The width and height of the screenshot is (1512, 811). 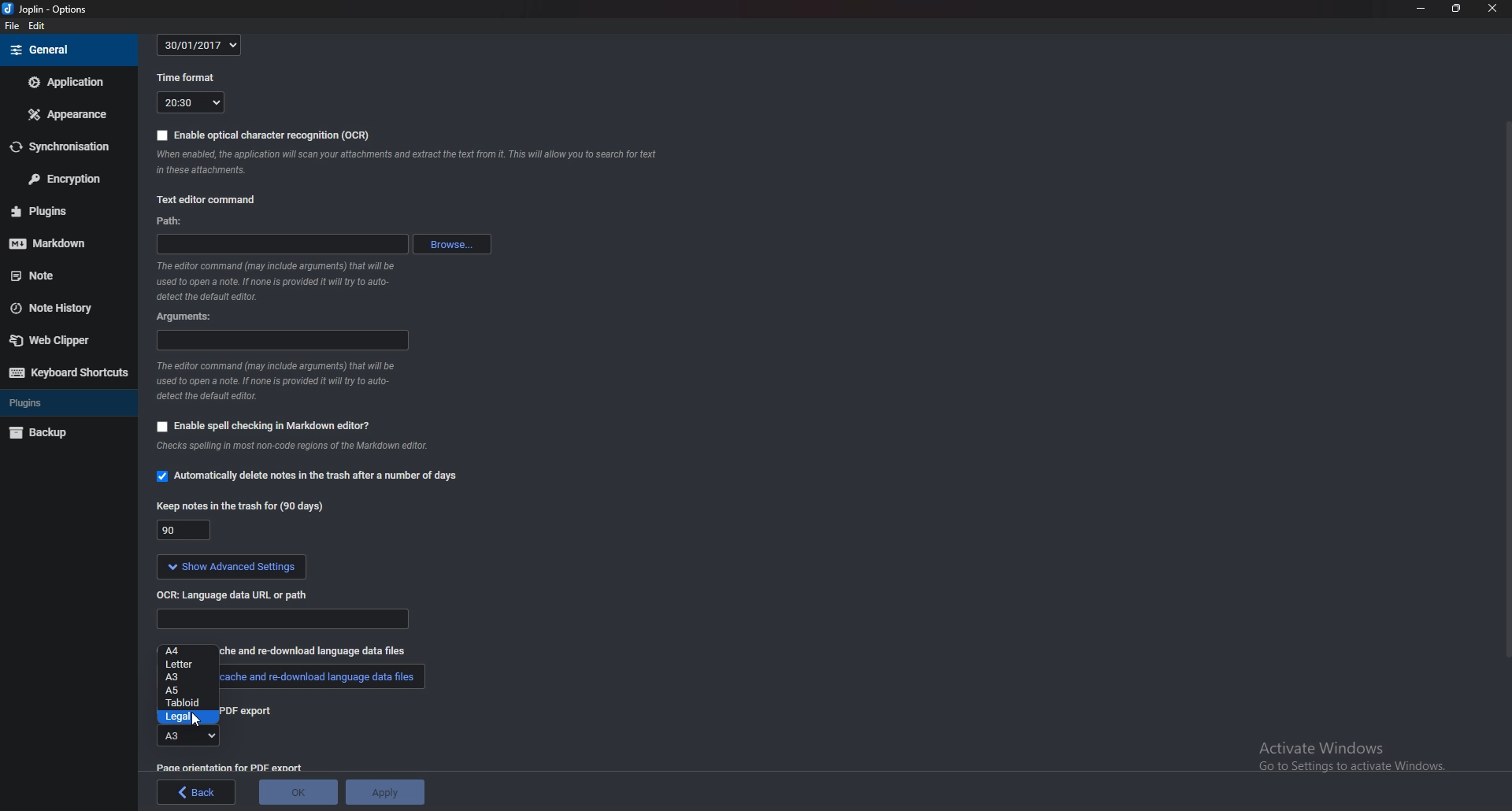 I want to click on activate windows, so click(x=1354, y=751).